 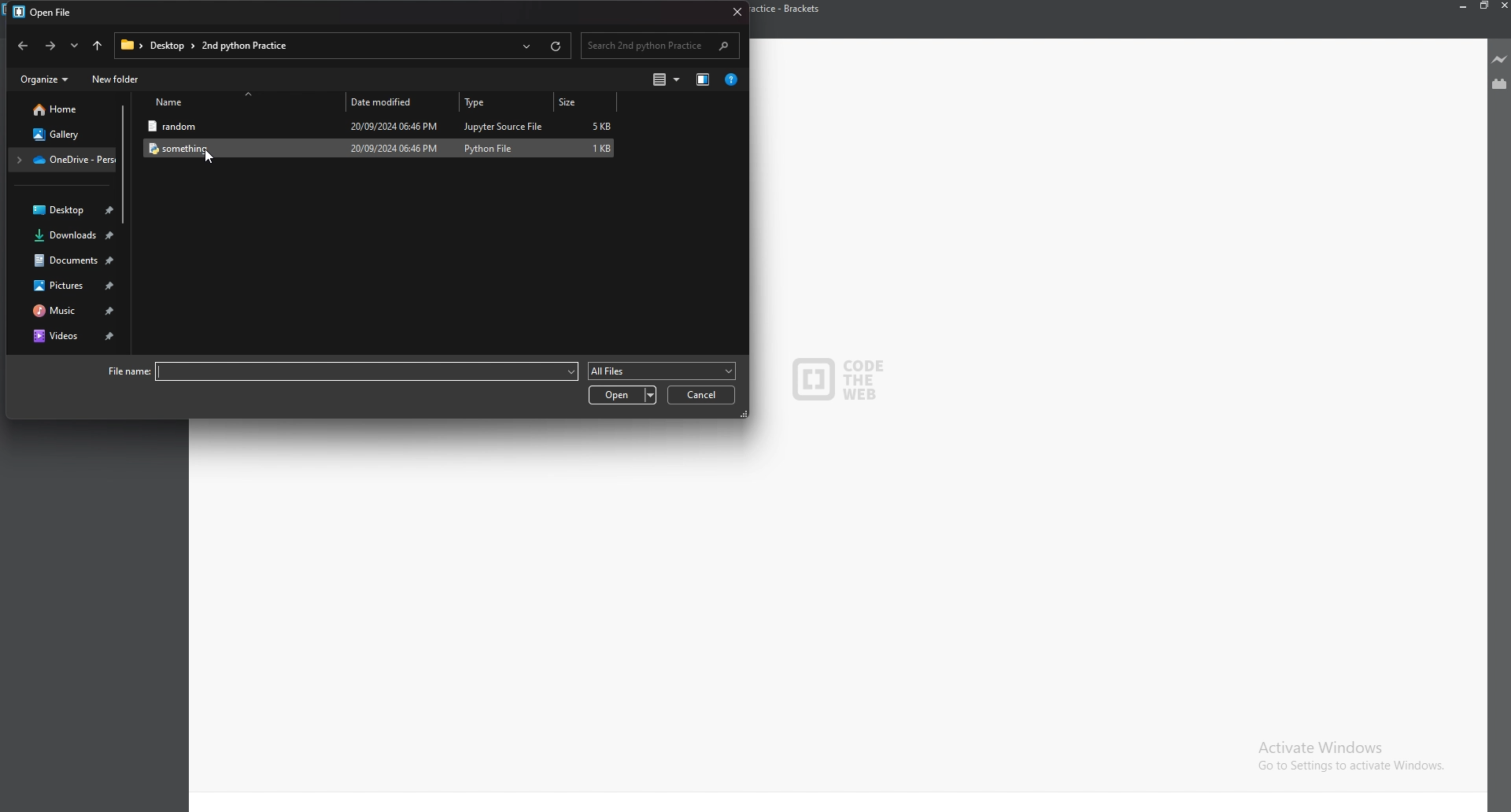 What do you see at coordinates (68, 335) in the screenshot?
I see `videos` at bounding box center [68, 335].